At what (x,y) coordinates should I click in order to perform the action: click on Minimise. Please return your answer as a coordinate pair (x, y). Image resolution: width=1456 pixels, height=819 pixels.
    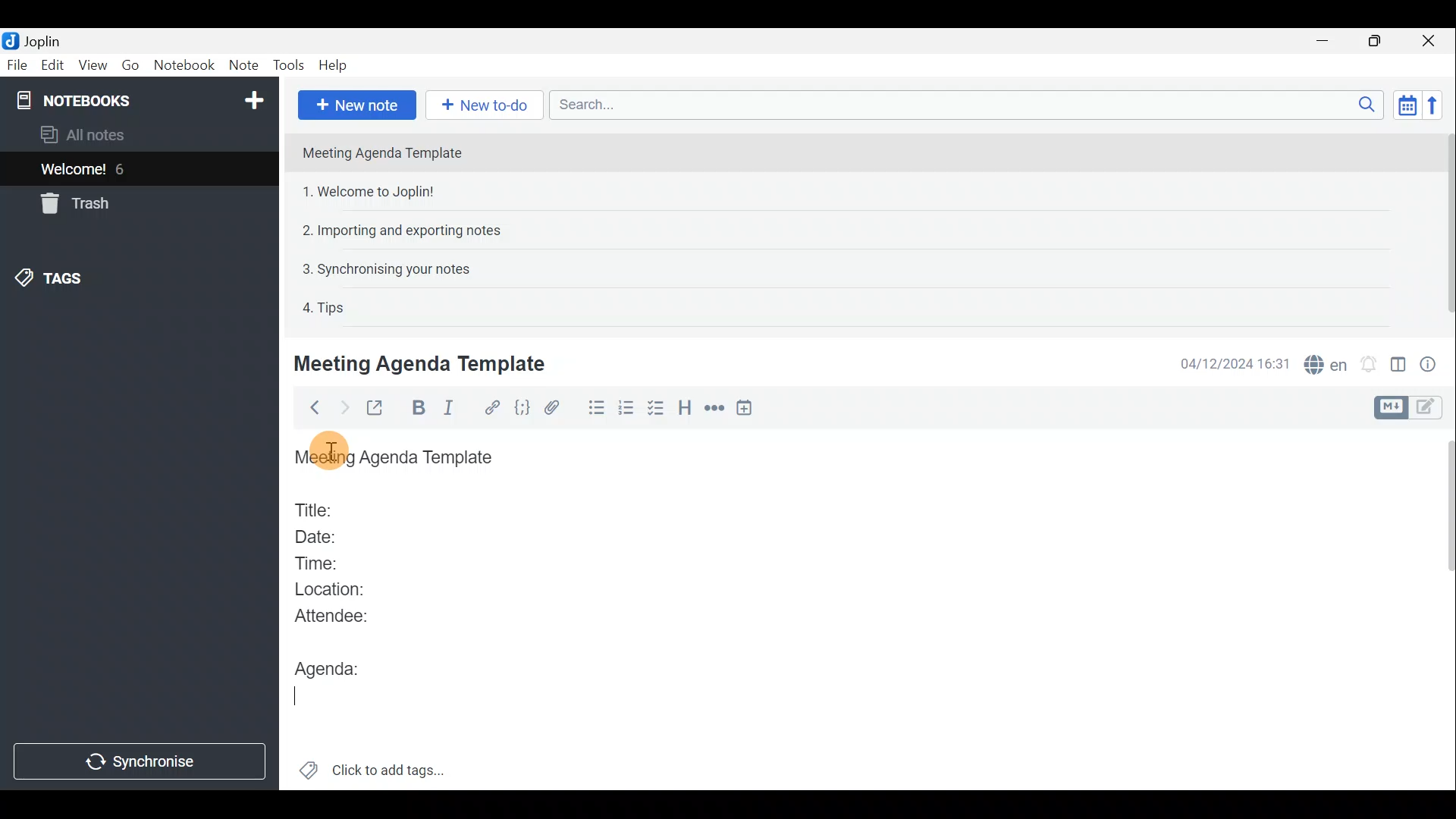
    Looking at the image, I should click on (1325, 40).